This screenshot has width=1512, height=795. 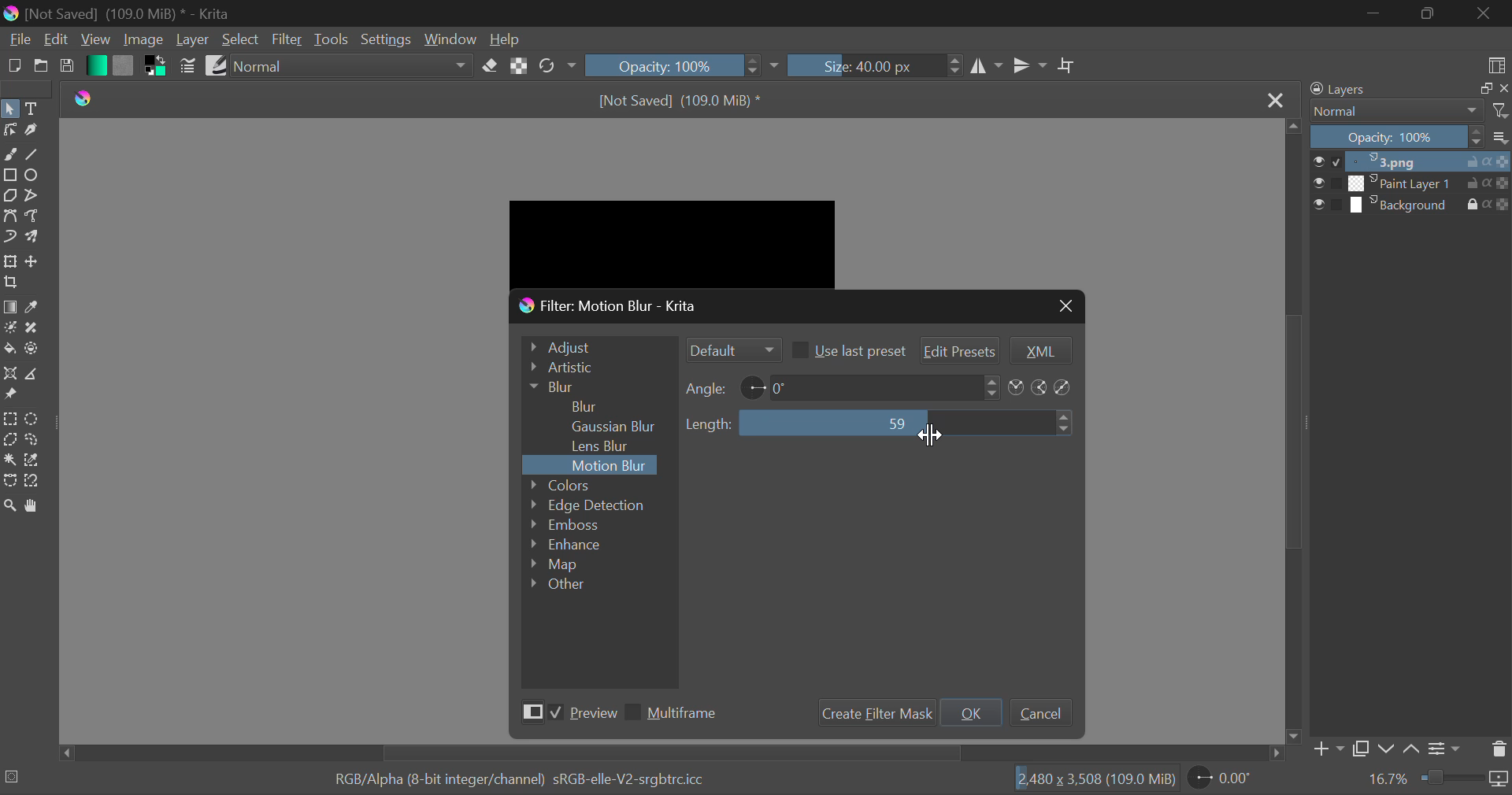 I want to click on Fill, so click(x=9, y=348).